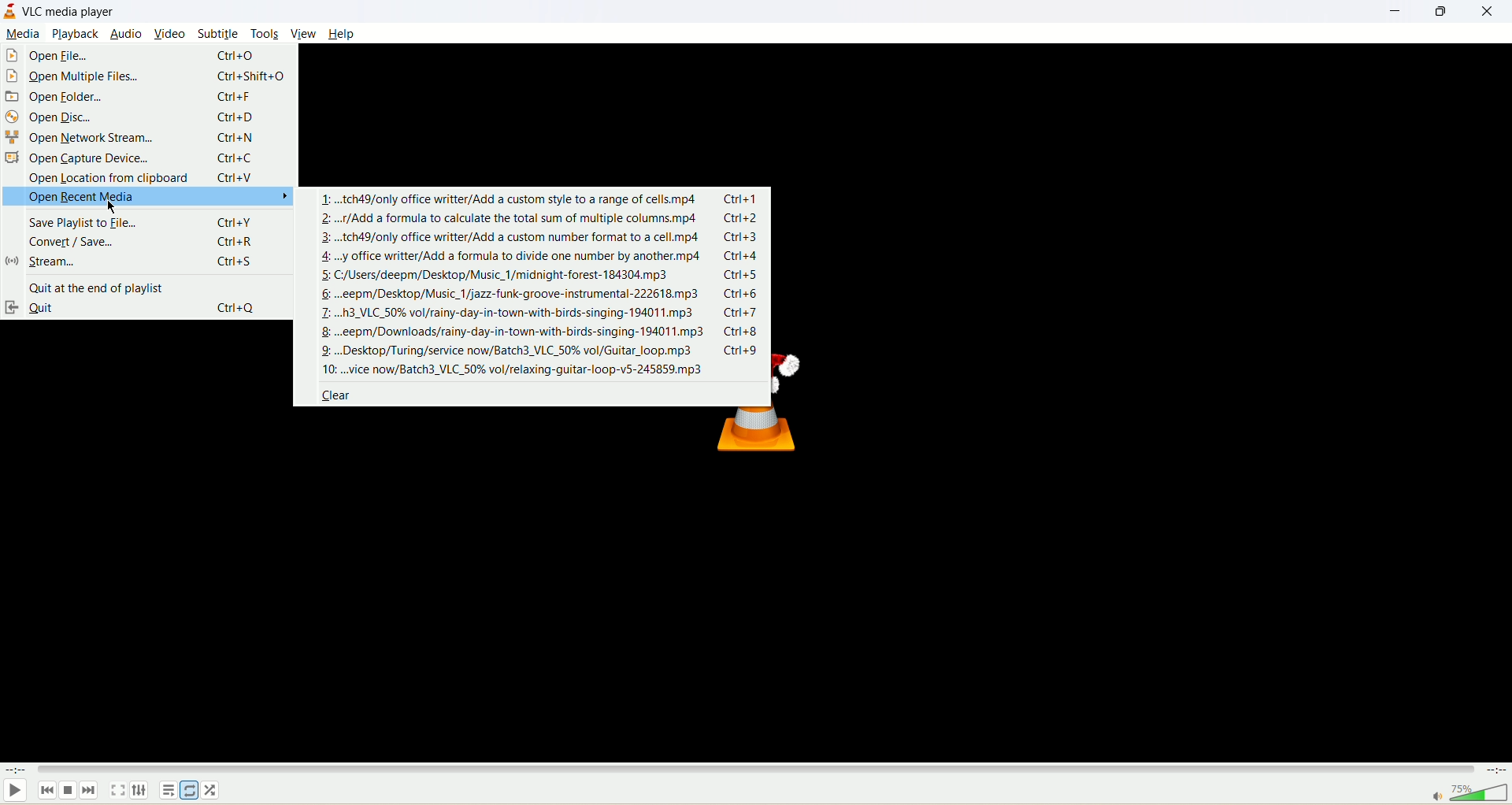  Describe the element at coordinates (514, 369) in the screenshot. I see `10: ...vice now/Batch3_VLC_50% vol/relaxing-guitar-loop-v5-245859.mp3` at that location.